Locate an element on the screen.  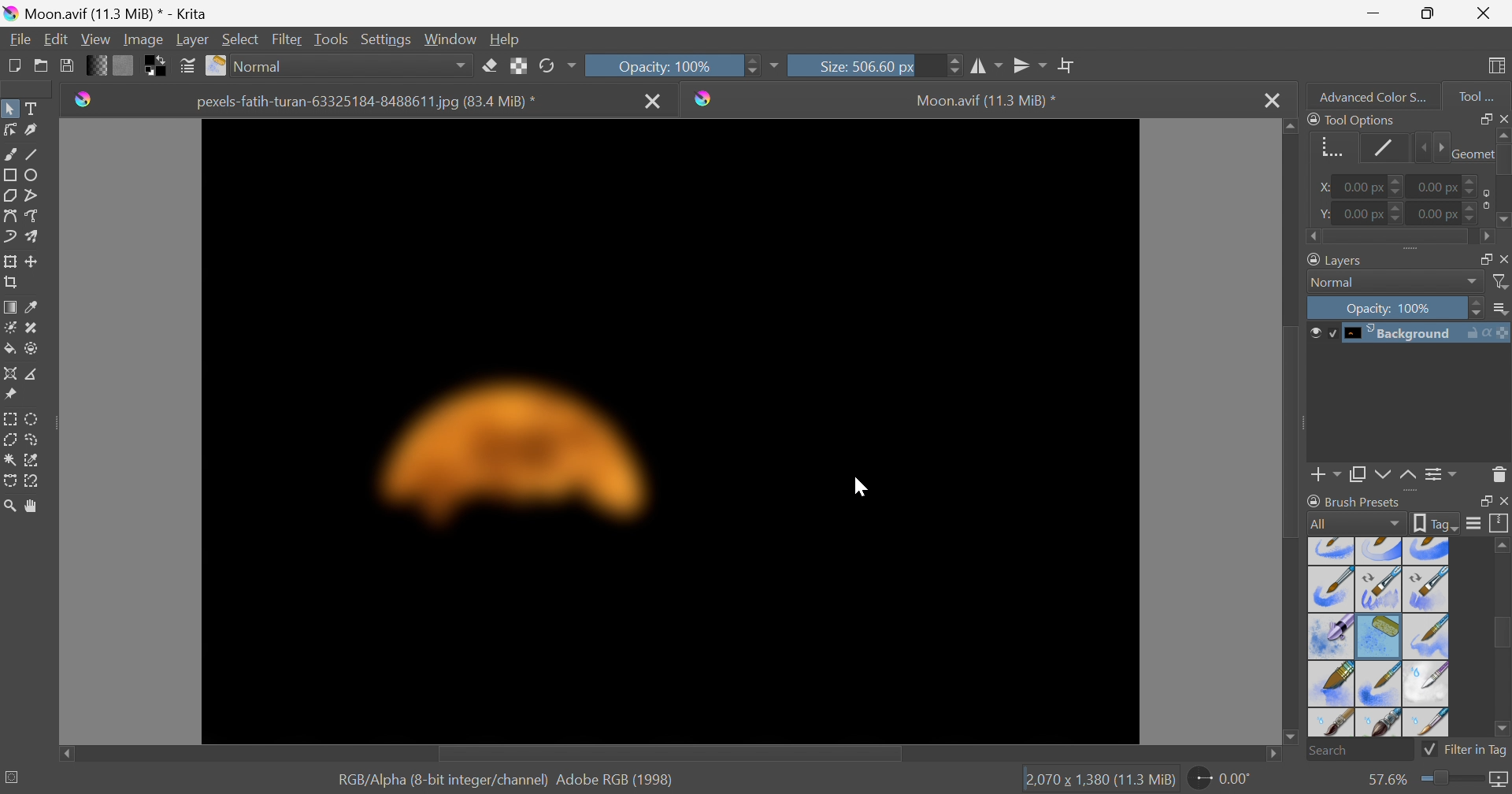
y: is located at coordinates (1323, 213).